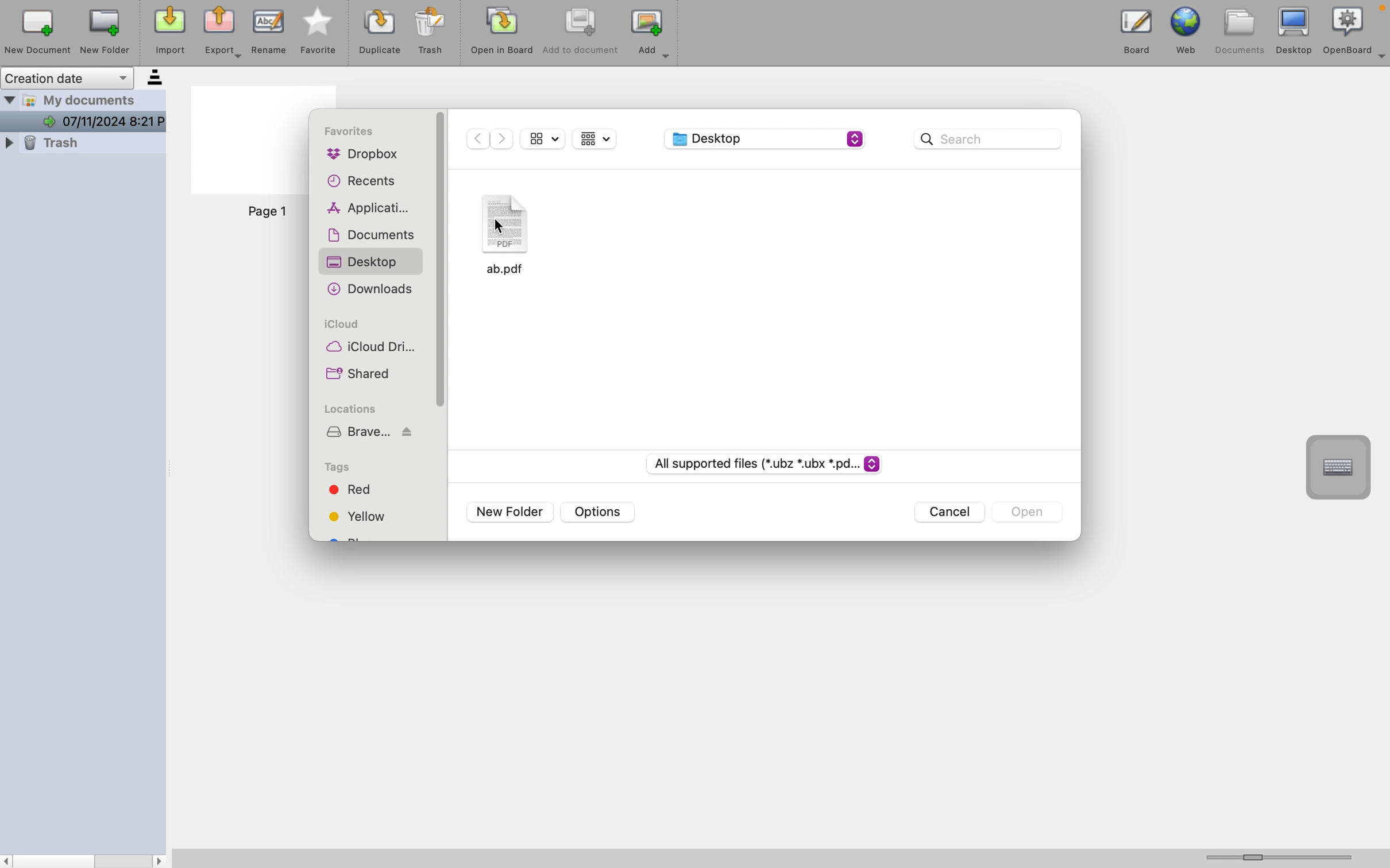  Describe the element at coordinates (597, 513) in the screenshot. I see `options` at that location.